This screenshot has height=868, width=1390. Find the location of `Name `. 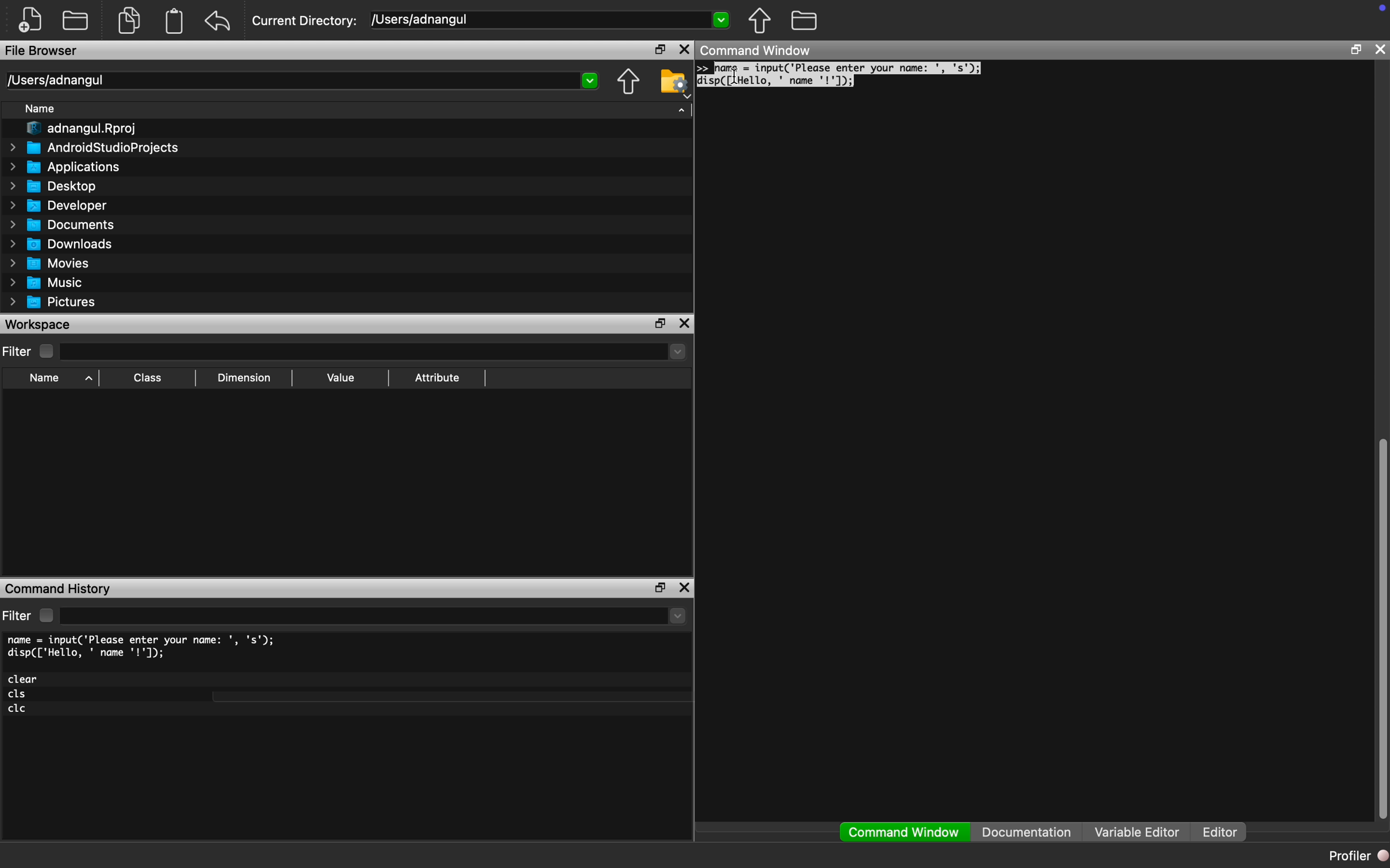

Name  is located at coordinates (58, 379).